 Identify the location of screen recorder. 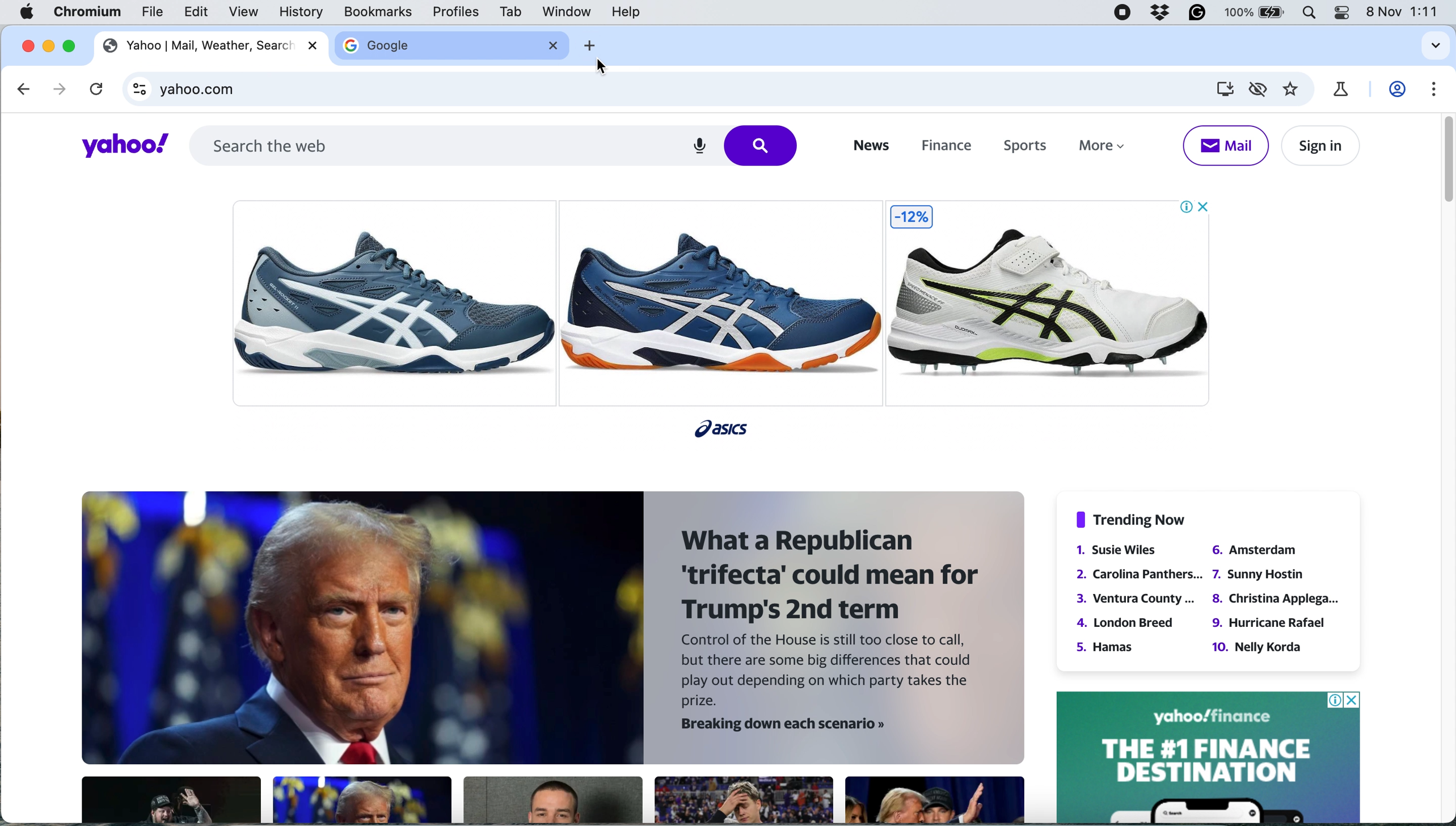
(1124, 14).